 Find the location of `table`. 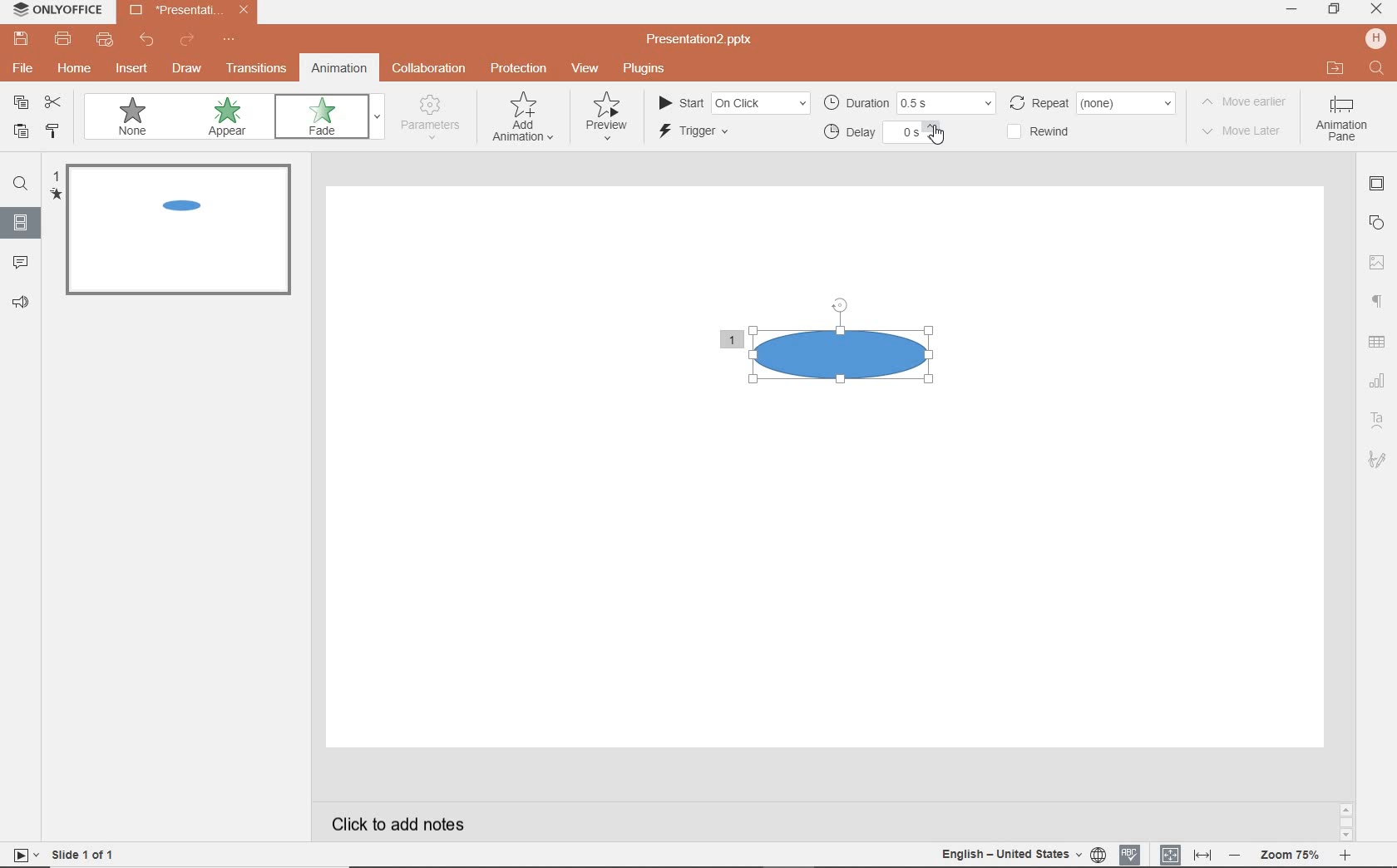

table is located at coordinates (1376, 341).